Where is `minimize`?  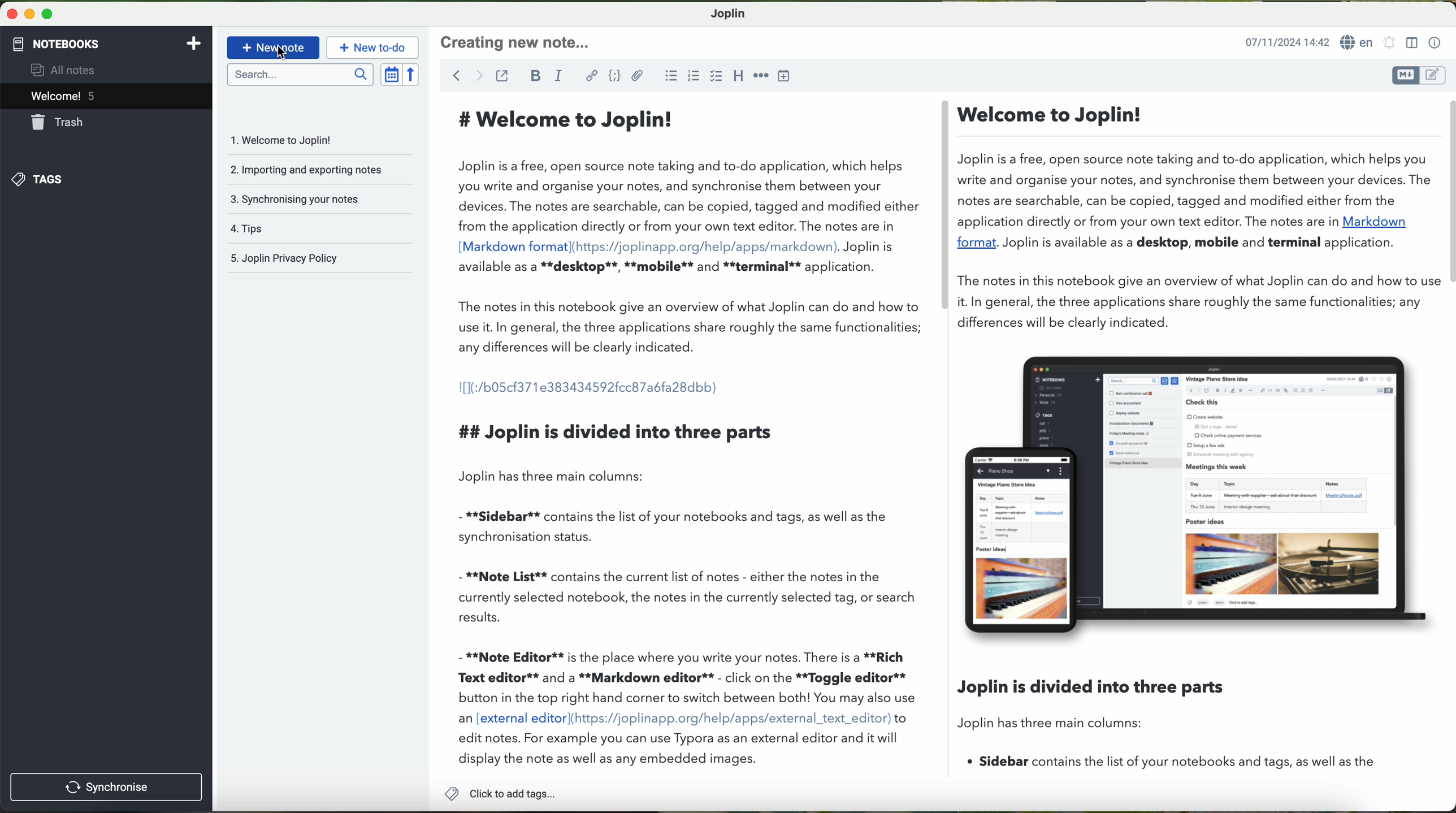 minimize is located at coordinates (29, 17).